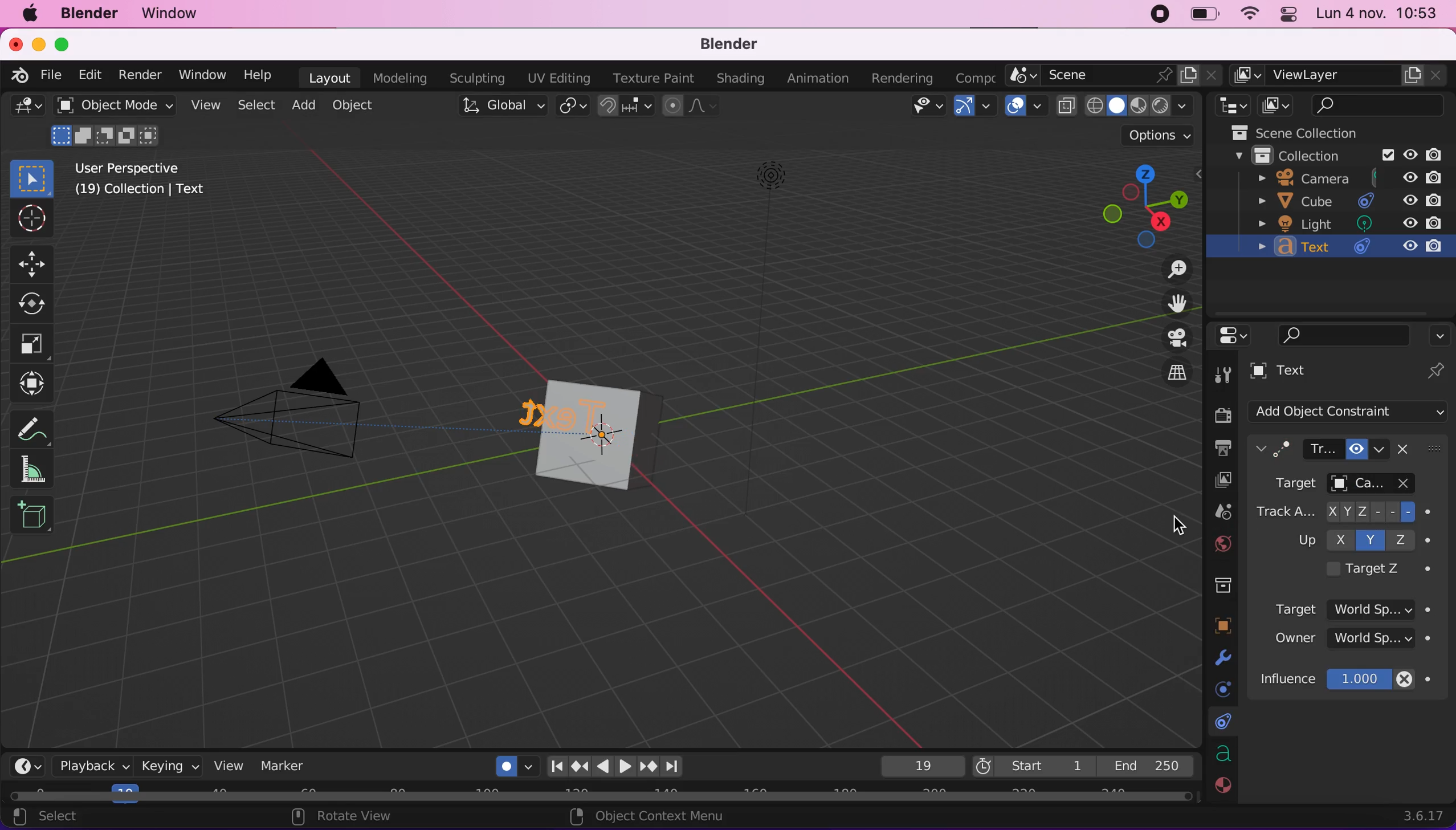 This screenshot has width=1456, height=830. Describe the element at coordinates (39, 262) in the screenshot. I see `move` at that location.